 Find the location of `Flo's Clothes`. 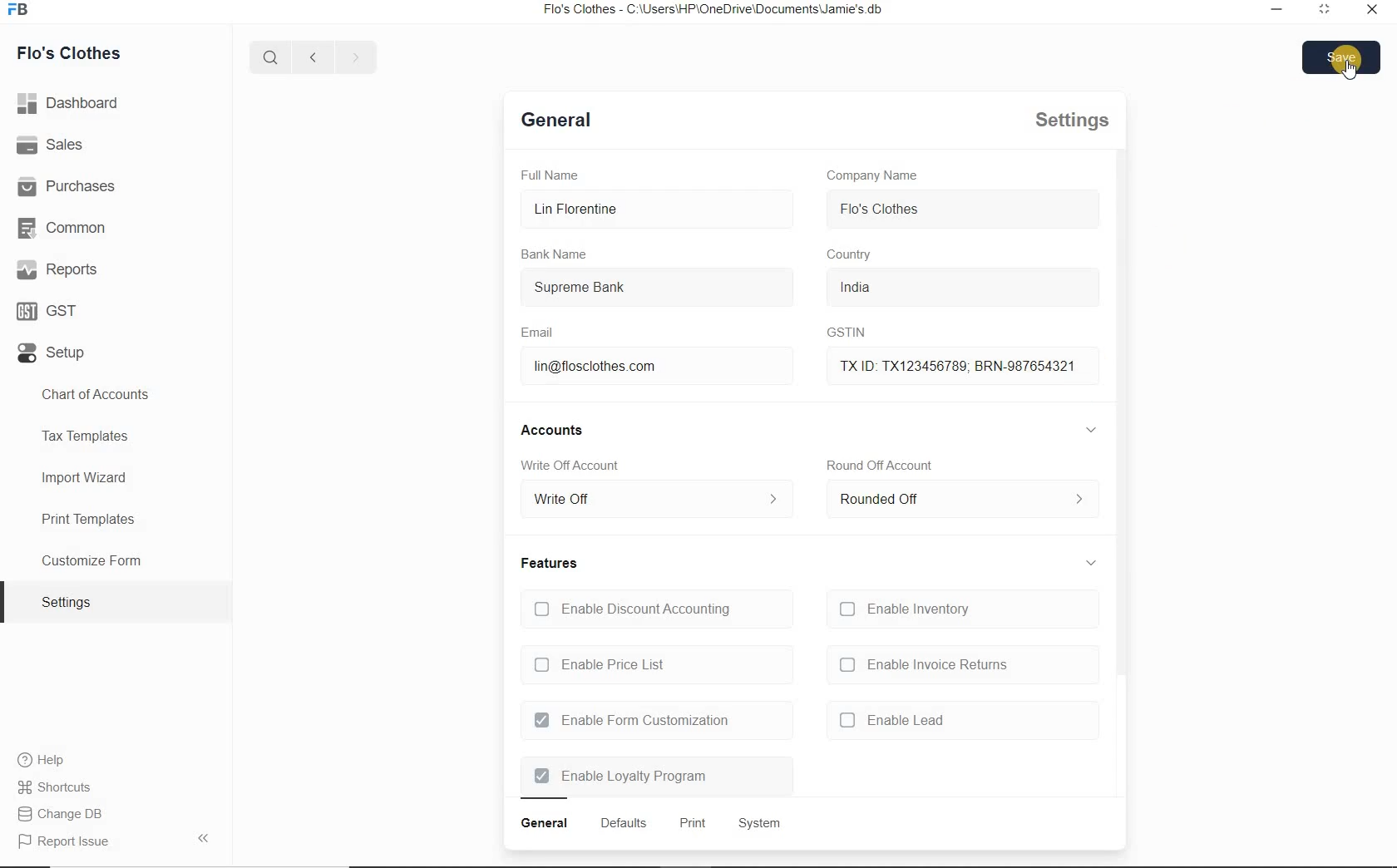

Flo's Clothes is located at coordinates (72, 52).